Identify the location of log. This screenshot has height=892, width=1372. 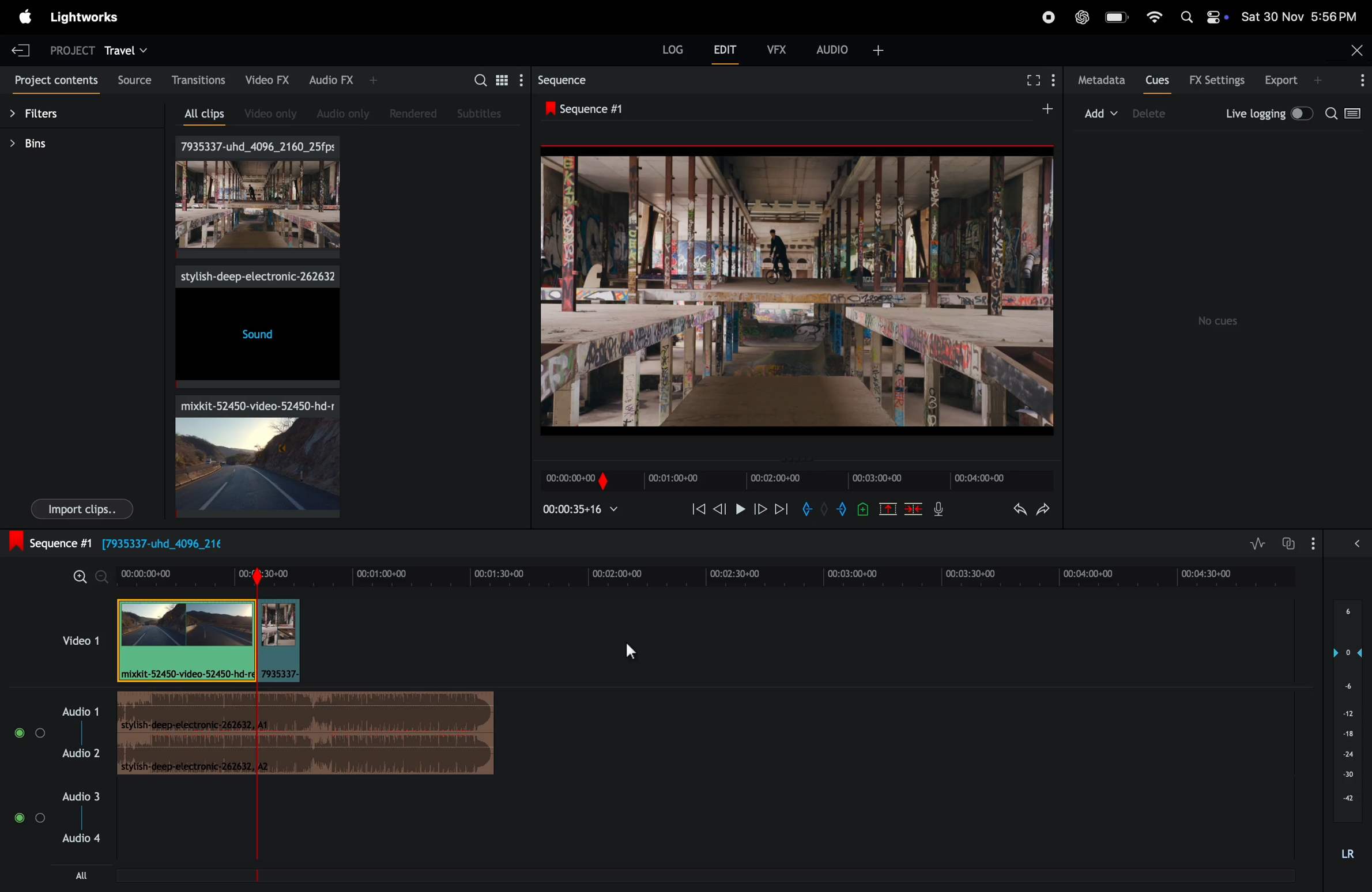
(665, 50).